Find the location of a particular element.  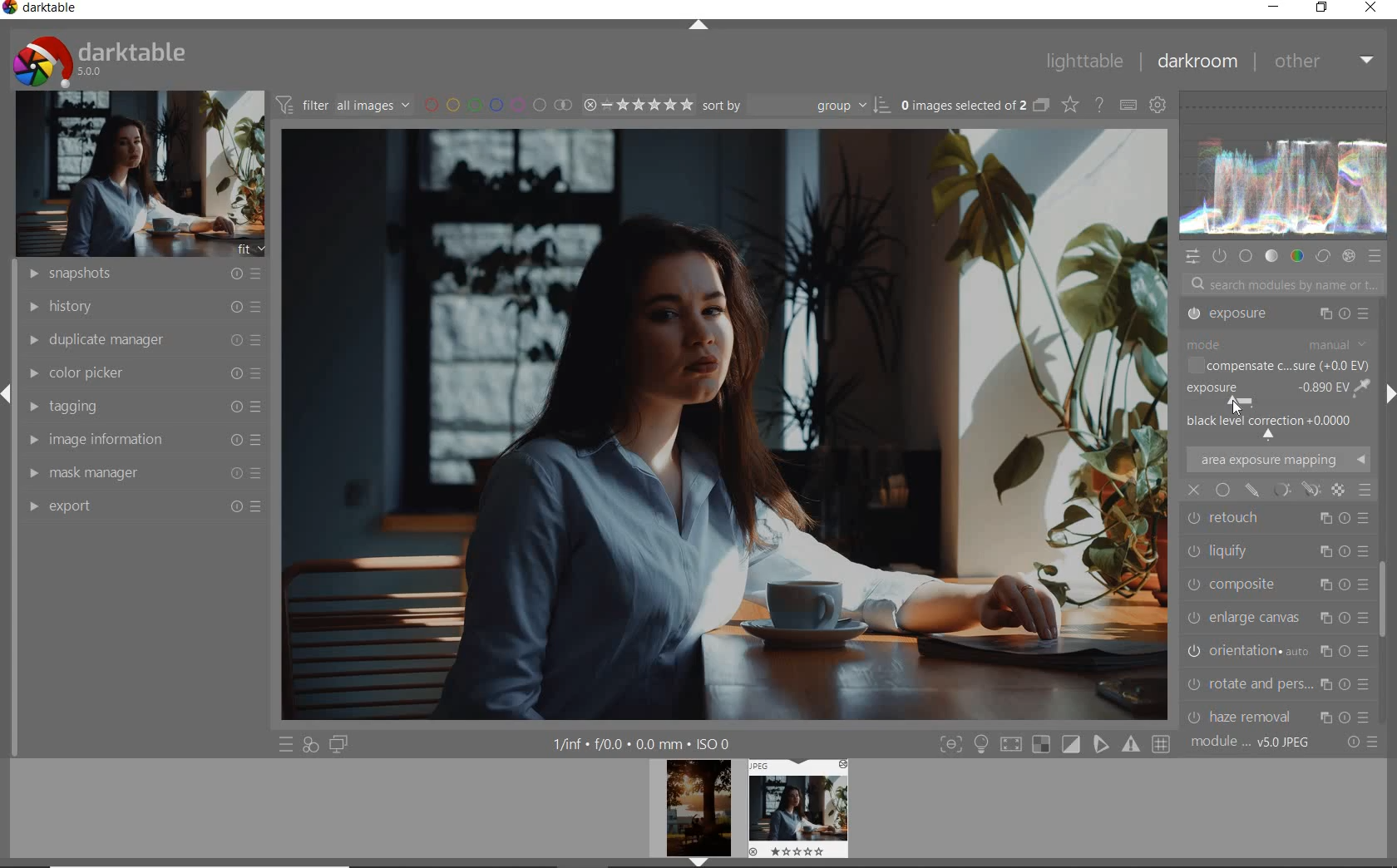

DARKROOM is located at coordinates (1199, 61).